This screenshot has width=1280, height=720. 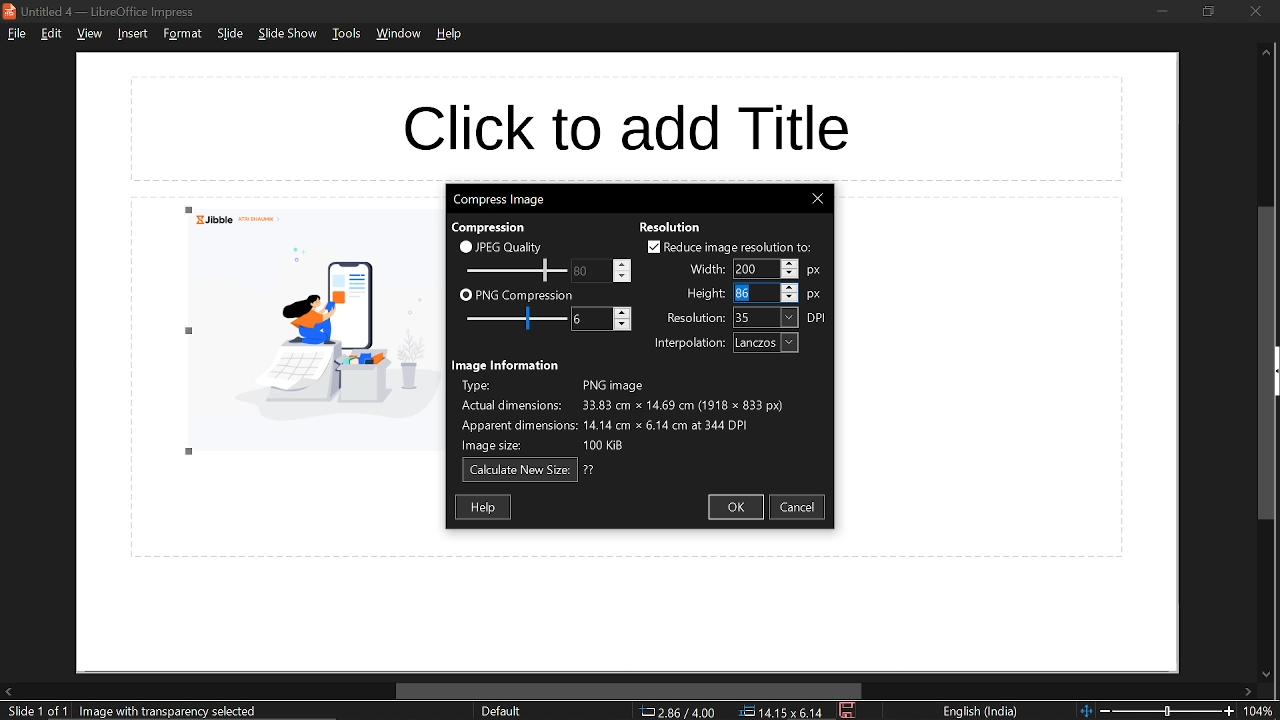 I want to click on increase width, so click(x=789, y=262).